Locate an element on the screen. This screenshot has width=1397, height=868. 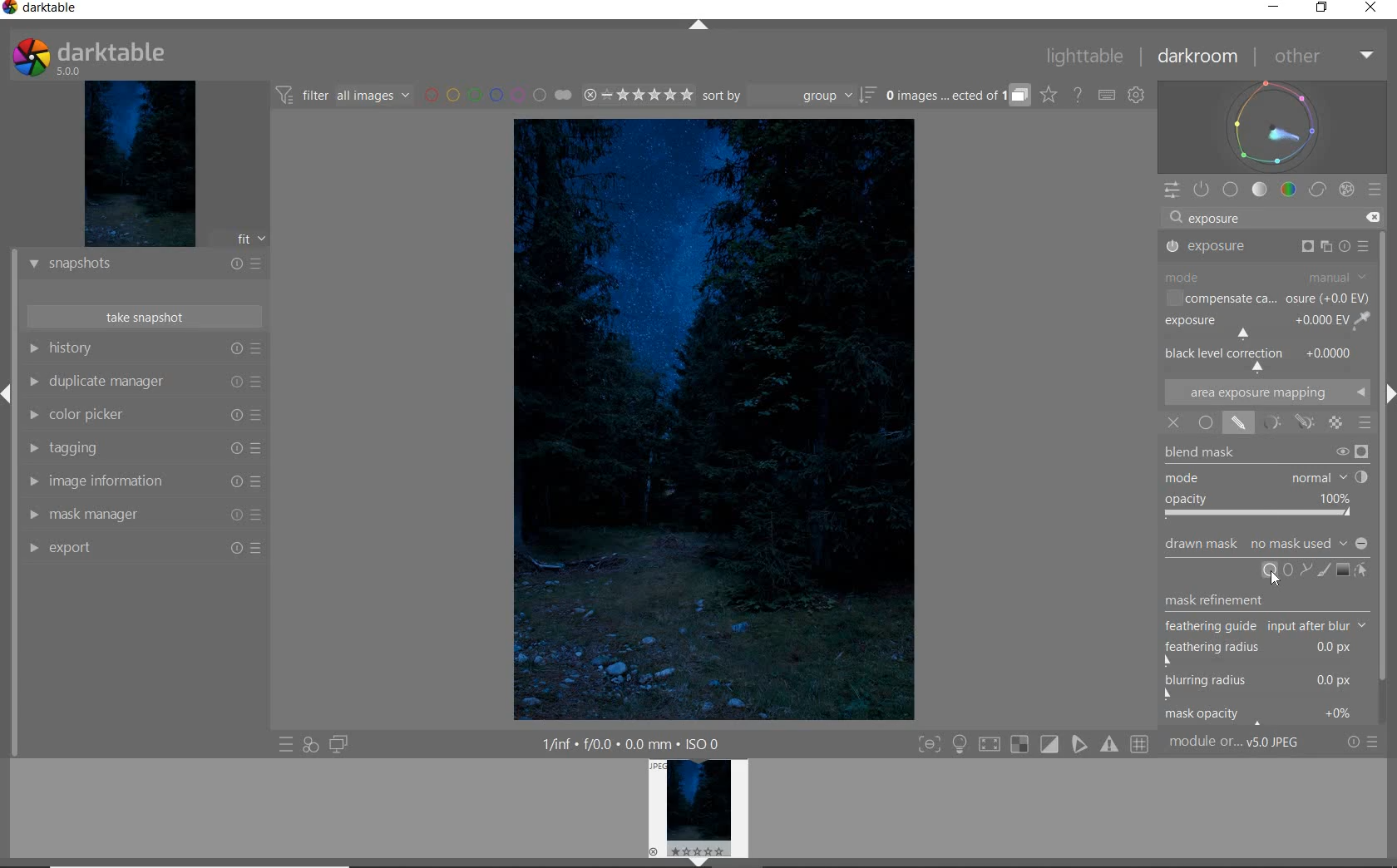
SNAPSHOTS is located at coordinates (144, 266).